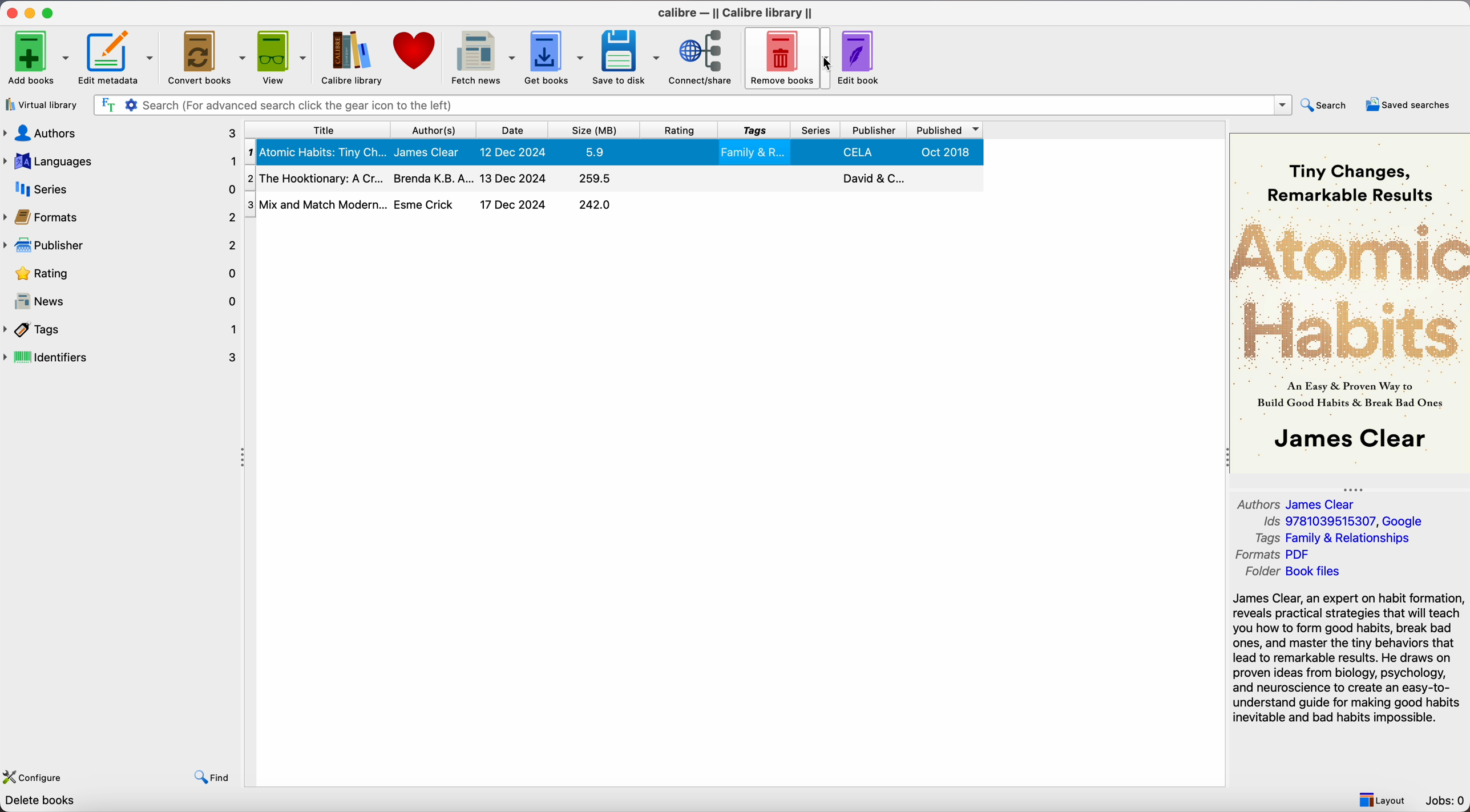 Image resolution: width=1470 pixels, height=812 pixels. Describe the element at coordinates (122, 357) in the screenshot. I see `identifiers` at that location.